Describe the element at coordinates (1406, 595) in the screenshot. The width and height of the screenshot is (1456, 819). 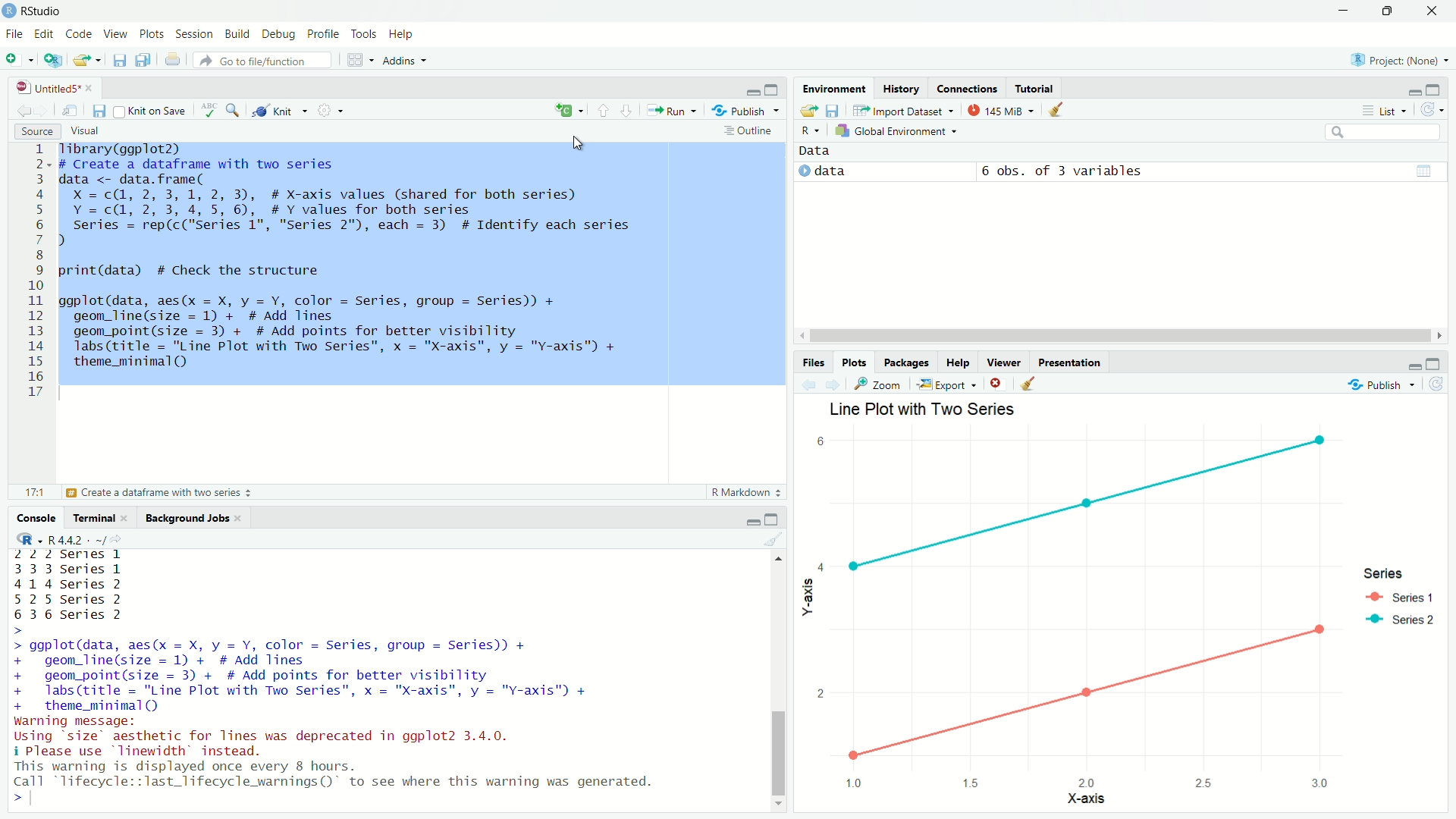
I see `Series` at that location.